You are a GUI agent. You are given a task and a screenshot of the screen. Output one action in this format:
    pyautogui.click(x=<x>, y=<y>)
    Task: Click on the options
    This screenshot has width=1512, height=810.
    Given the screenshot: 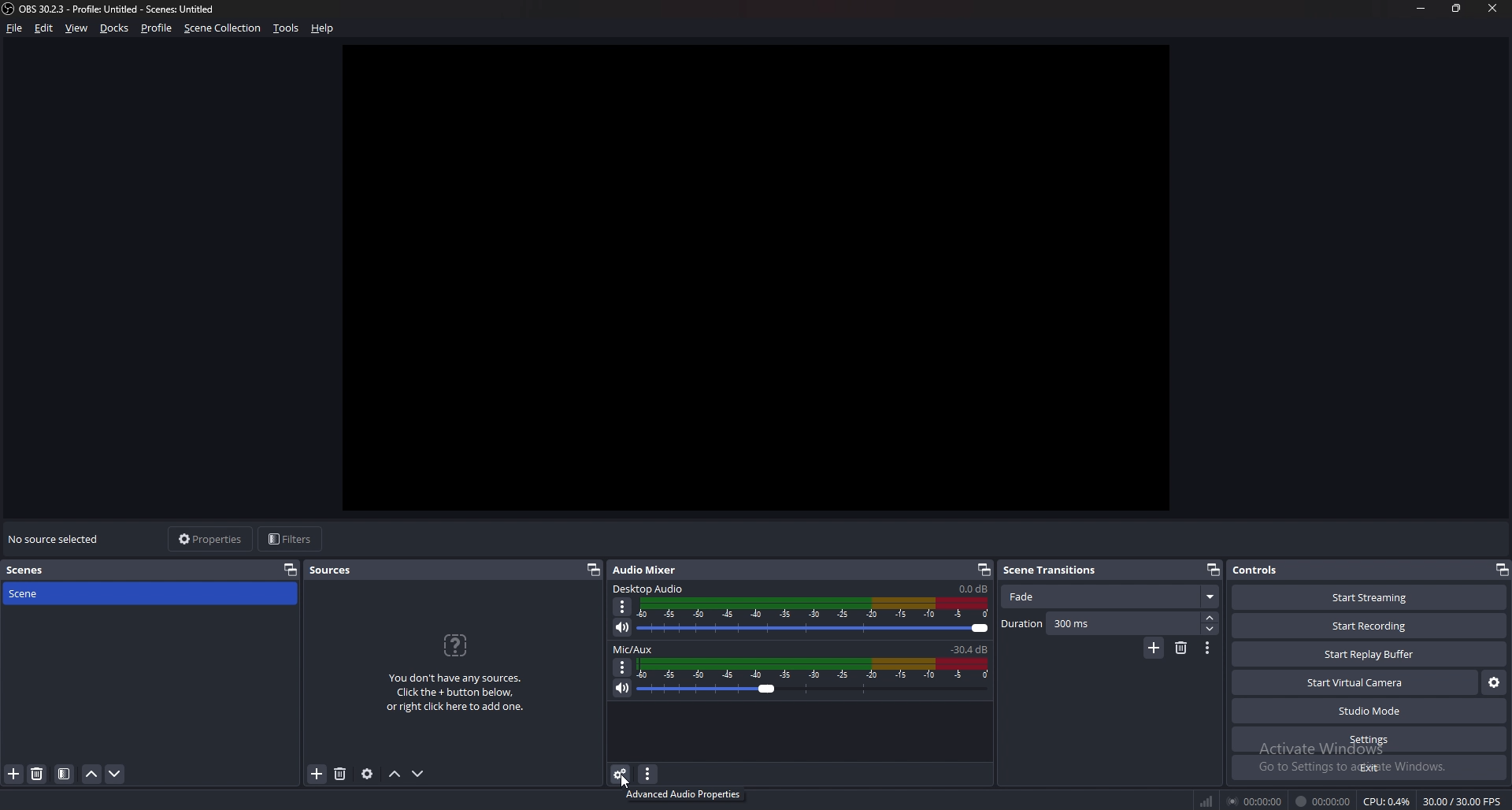 What is the action you would take?
    pyautogui.click(x=623, y=607)
    